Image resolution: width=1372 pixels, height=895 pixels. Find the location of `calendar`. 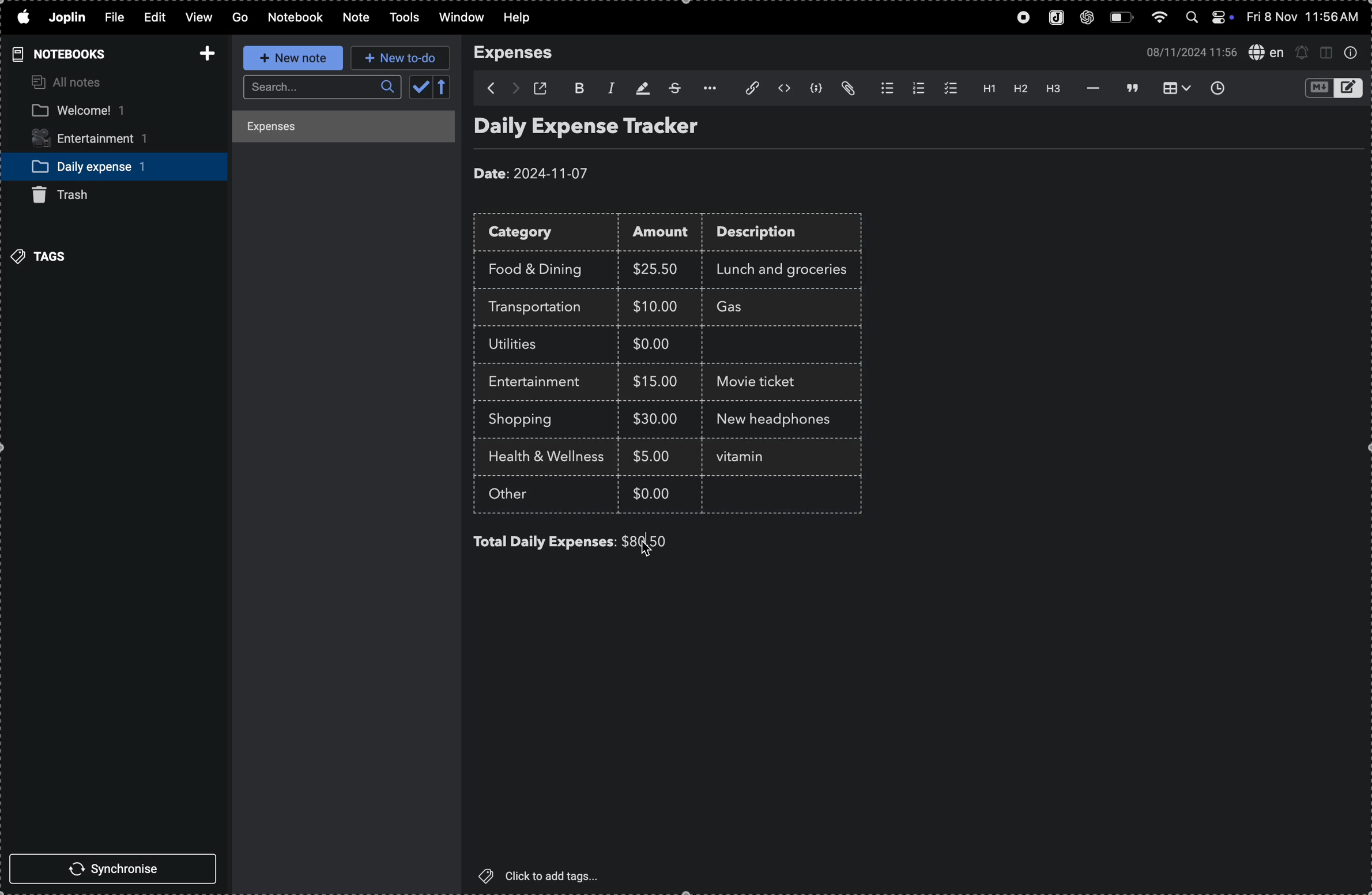

calendar is located at coordinates (431, 88).